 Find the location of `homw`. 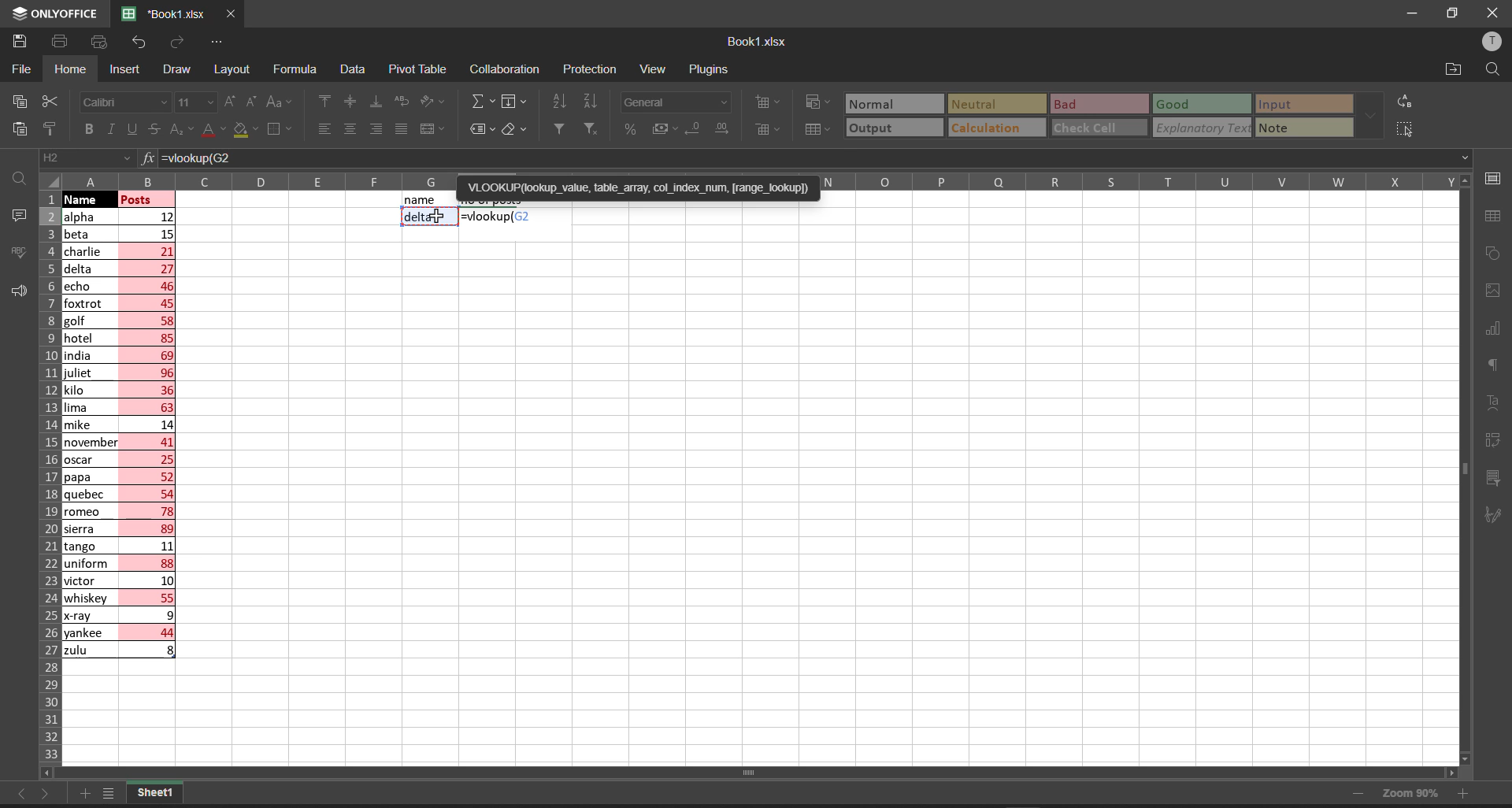

homw is located at coordinates (69, 69).